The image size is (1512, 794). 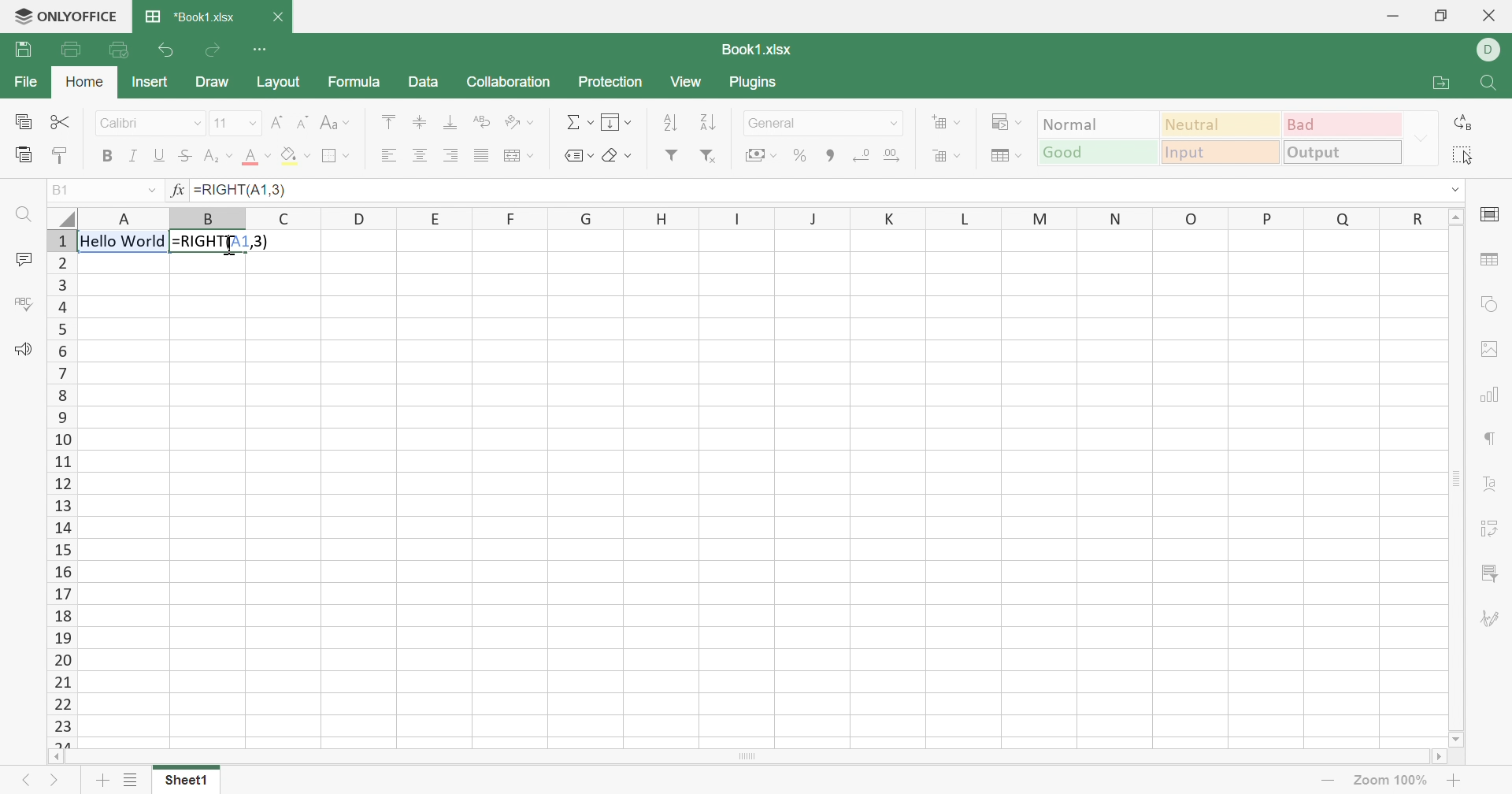 I want to click on Font size, so click(x=236, y=123).